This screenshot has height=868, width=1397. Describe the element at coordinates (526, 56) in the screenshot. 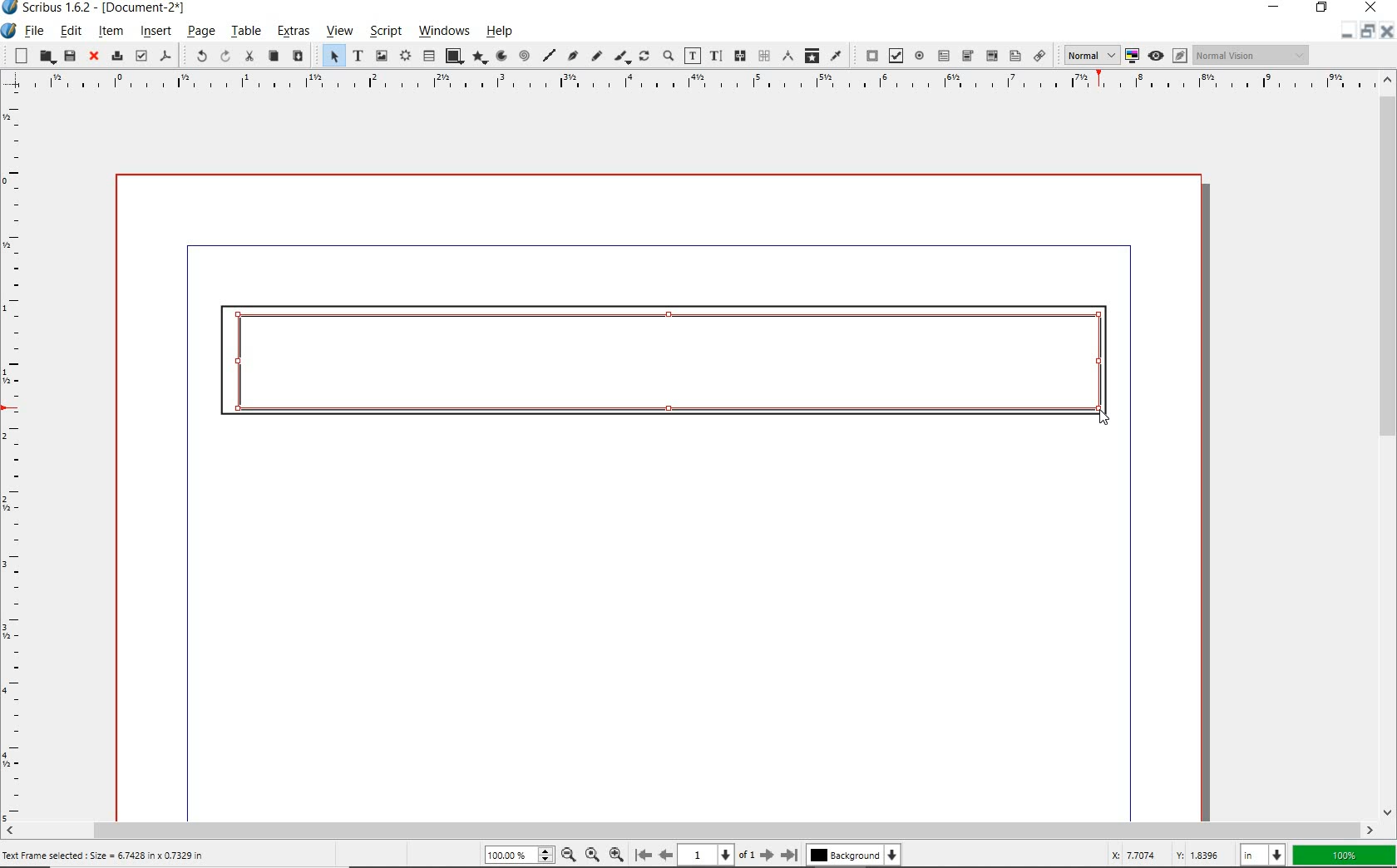

I see `spiral` at that location.